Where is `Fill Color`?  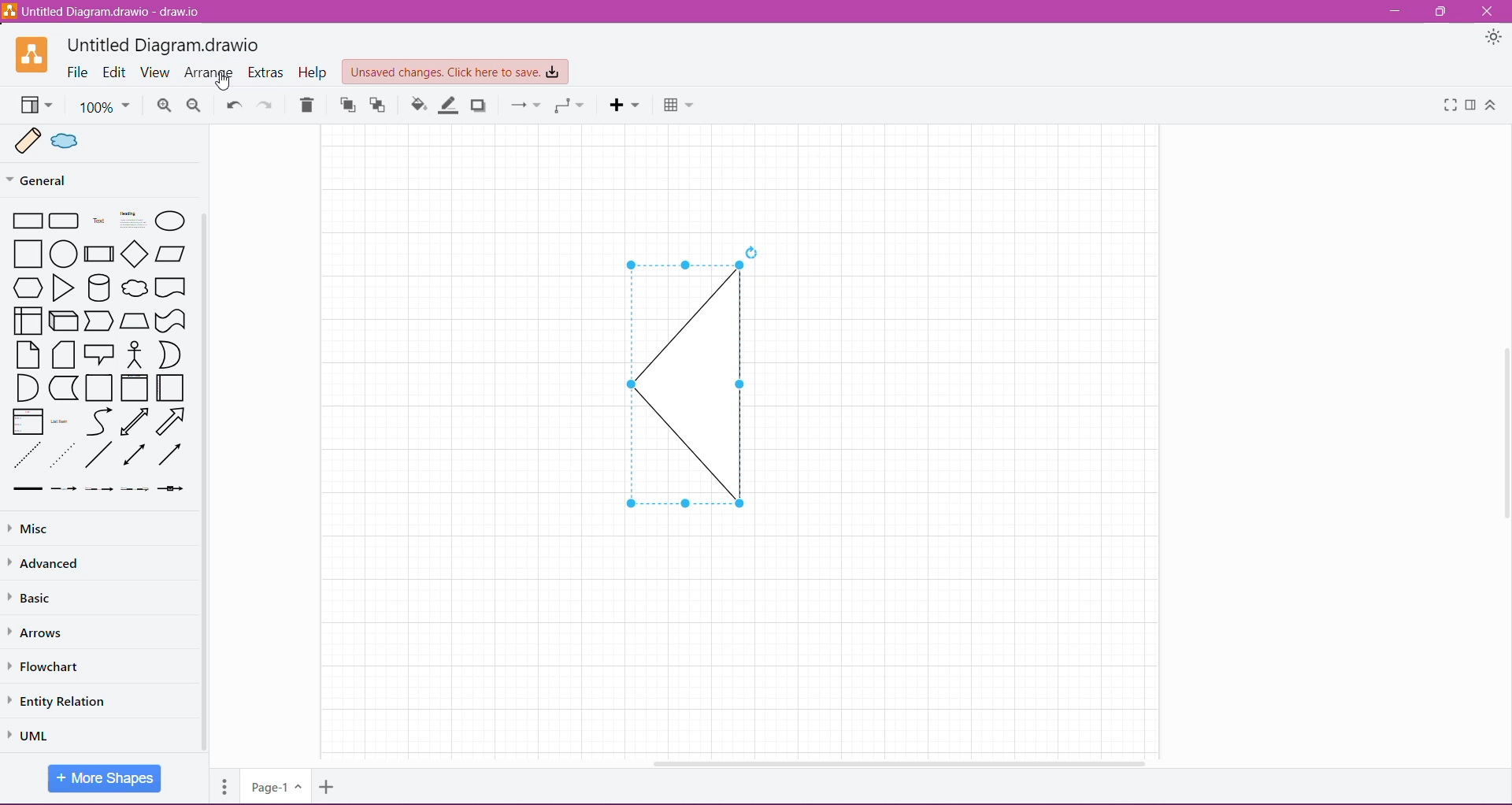 Fill Color is located at coordinates (417, 106).